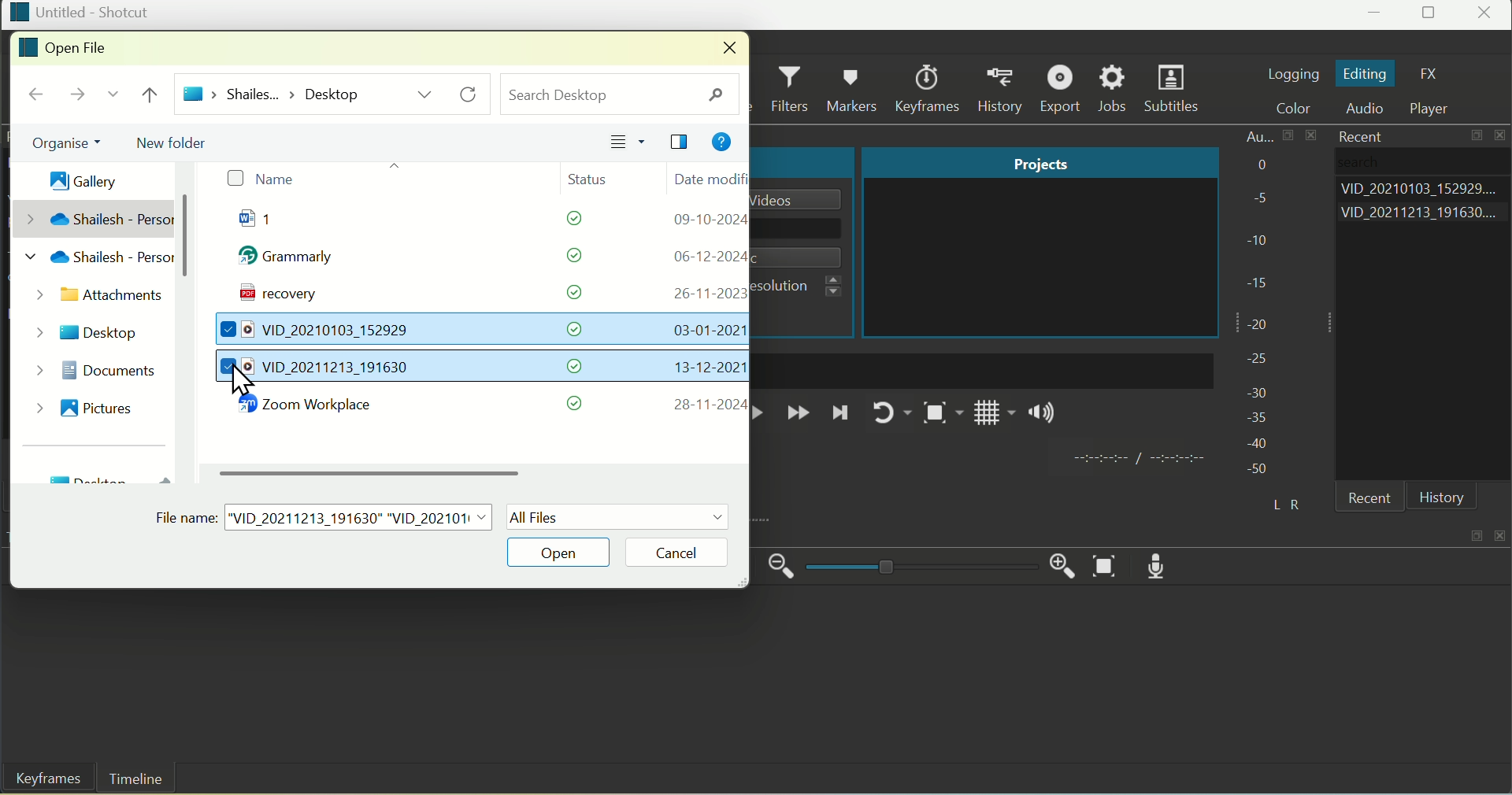 The image size is (1512, 795). I want to click on Editing, so click(1366, 74).